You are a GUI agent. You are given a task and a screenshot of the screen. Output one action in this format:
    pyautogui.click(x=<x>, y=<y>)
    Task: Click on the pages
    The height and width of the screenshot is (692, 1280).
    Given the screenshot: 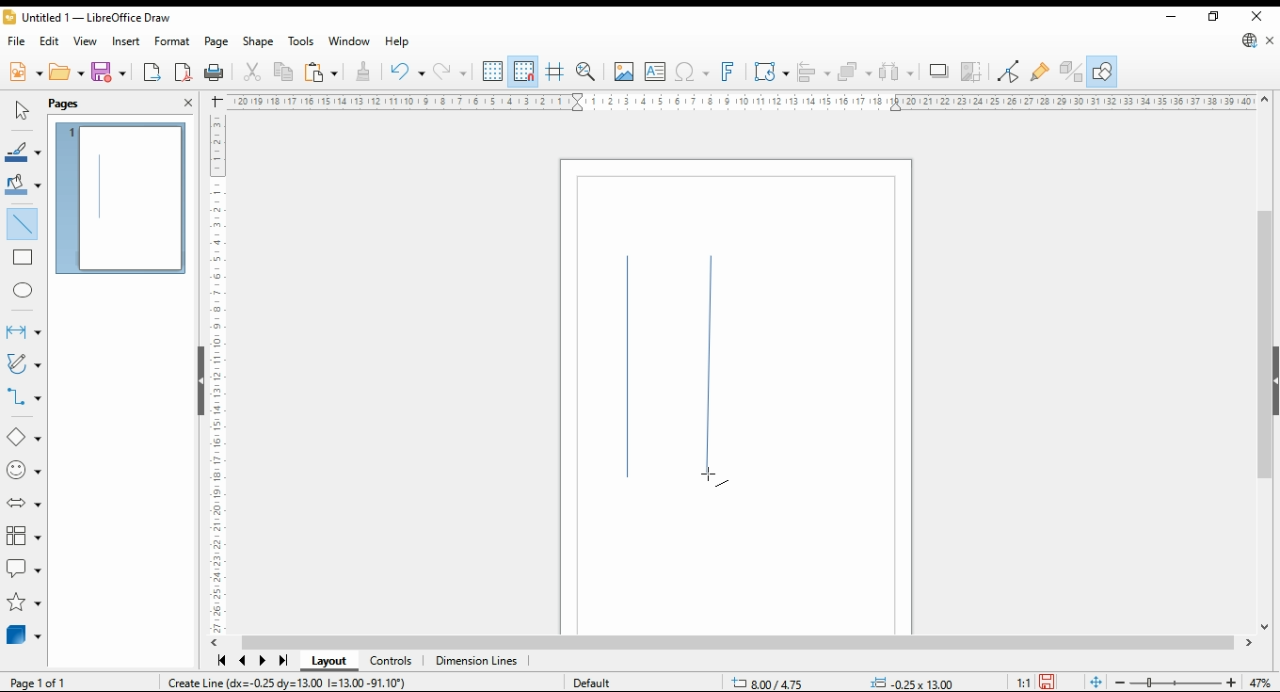 What is the action you would take?
    pyautogui.click(x=82, y=102)
    